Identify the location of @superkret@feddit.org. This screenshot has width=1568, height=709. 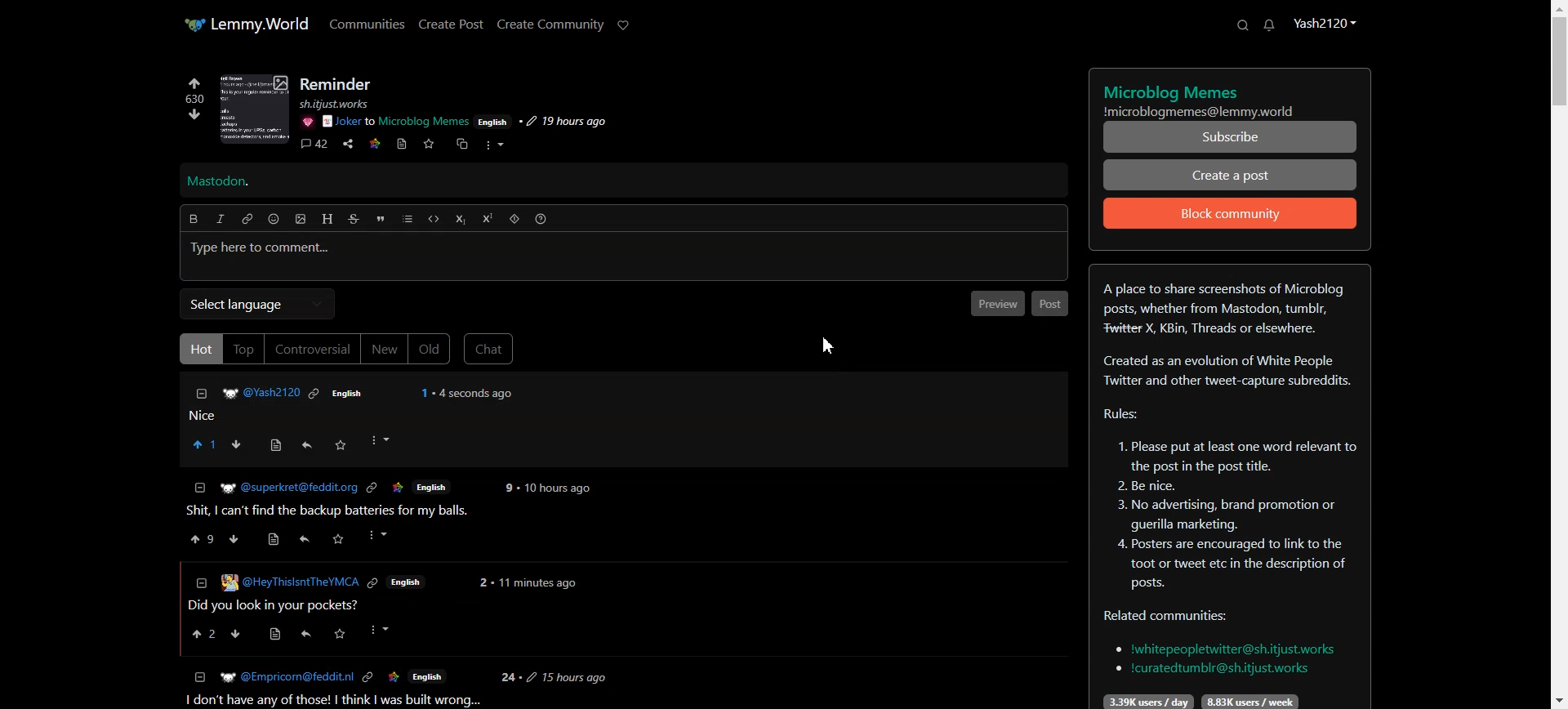
(290, 488).